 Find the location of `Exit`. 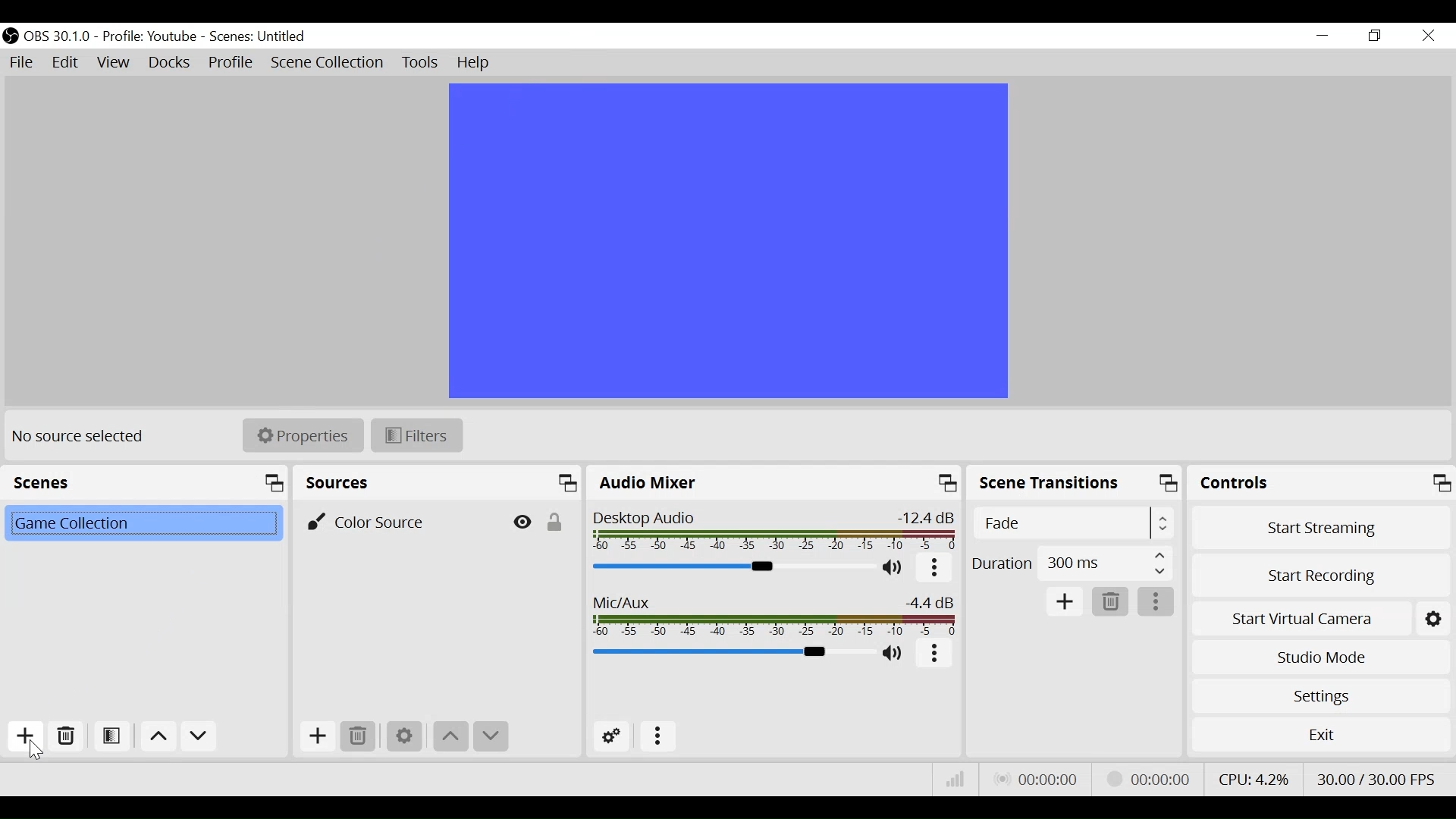

Exit is located at coordinates (1321, 734).